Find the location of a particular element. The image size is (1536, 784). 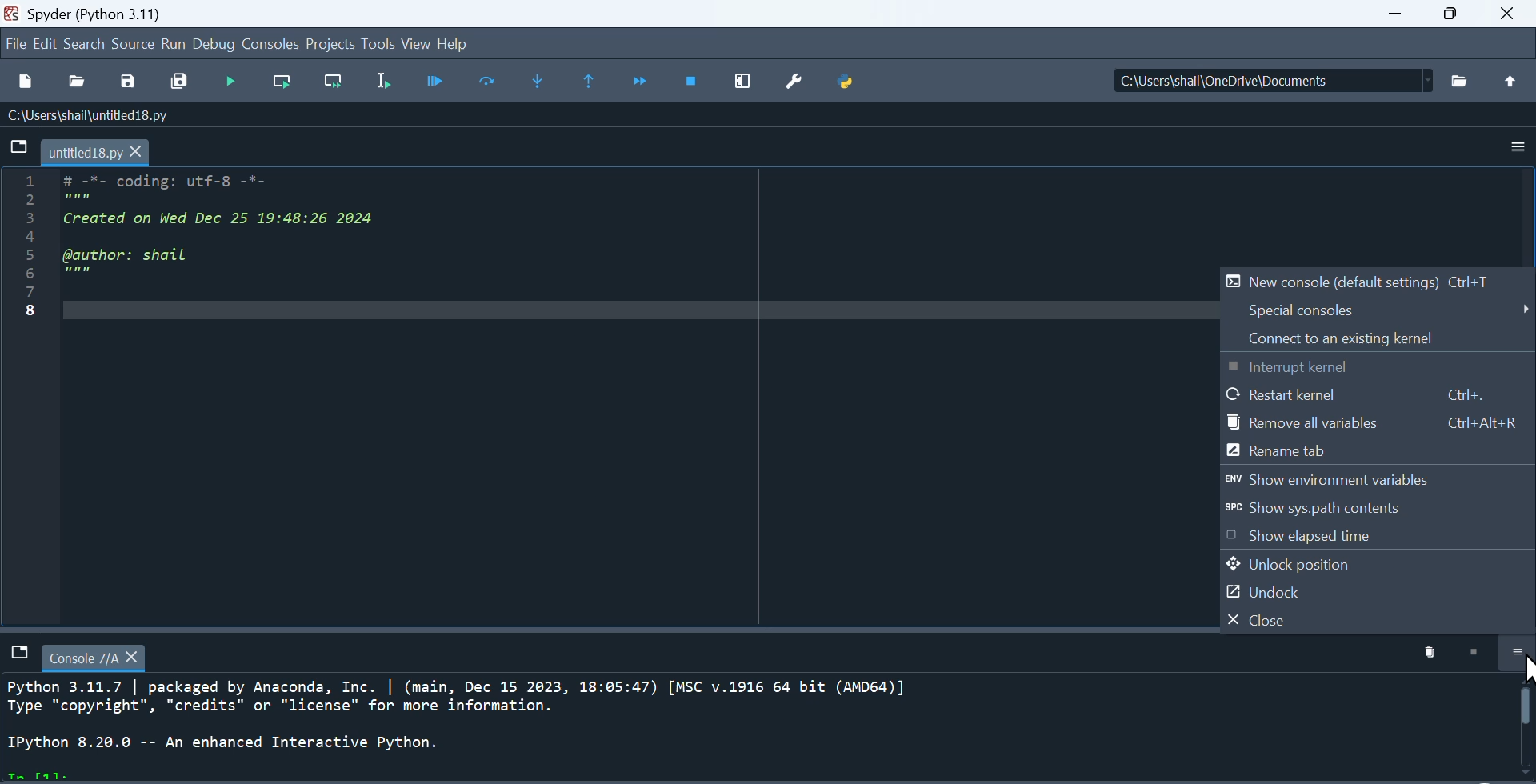

file is located at coordinates (14, 46).